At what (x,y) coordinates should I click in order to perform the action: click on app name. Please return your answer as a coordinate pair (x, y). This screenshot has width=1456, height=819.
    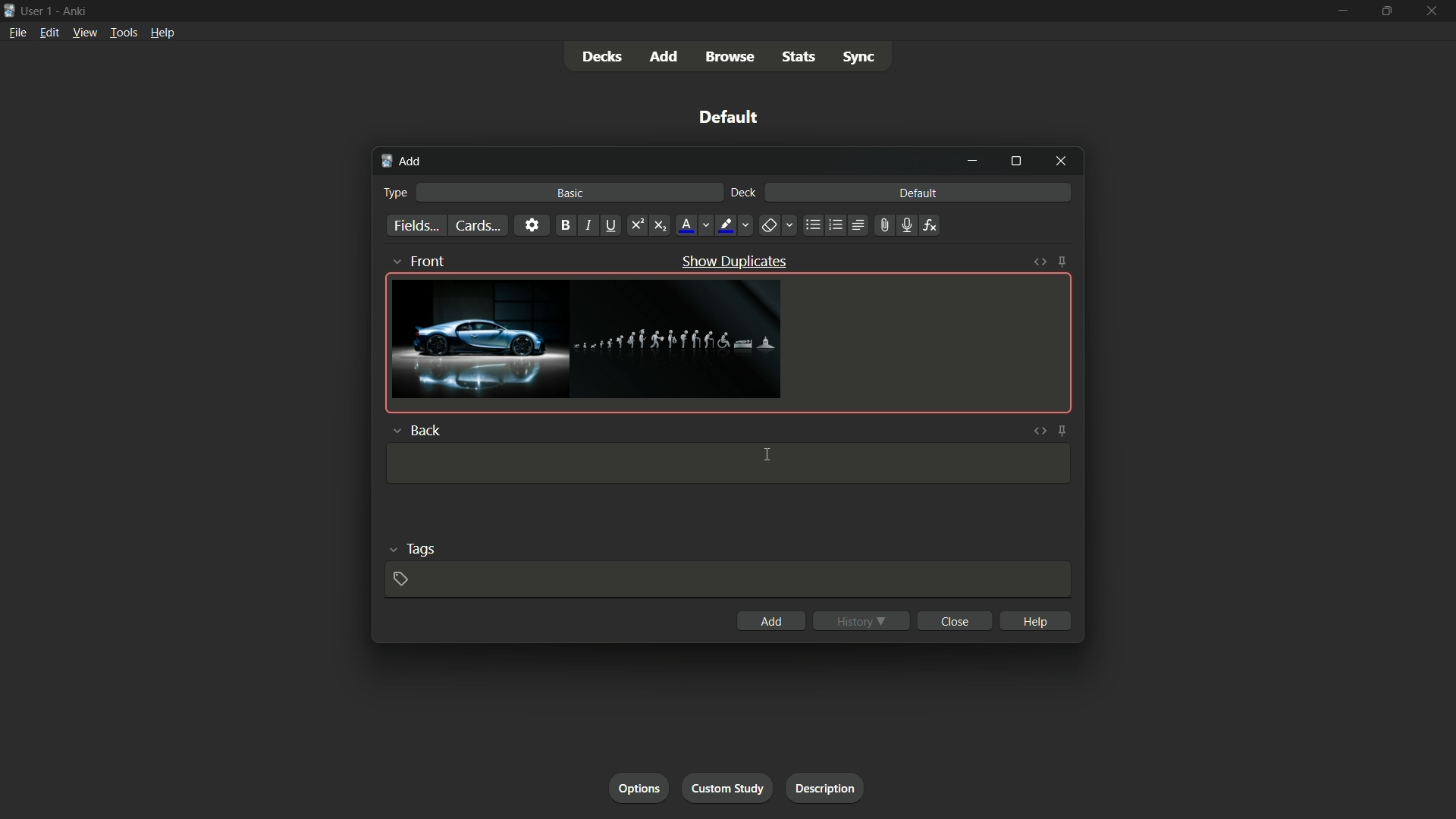
    Looking at the image, I should click on (77, 9).